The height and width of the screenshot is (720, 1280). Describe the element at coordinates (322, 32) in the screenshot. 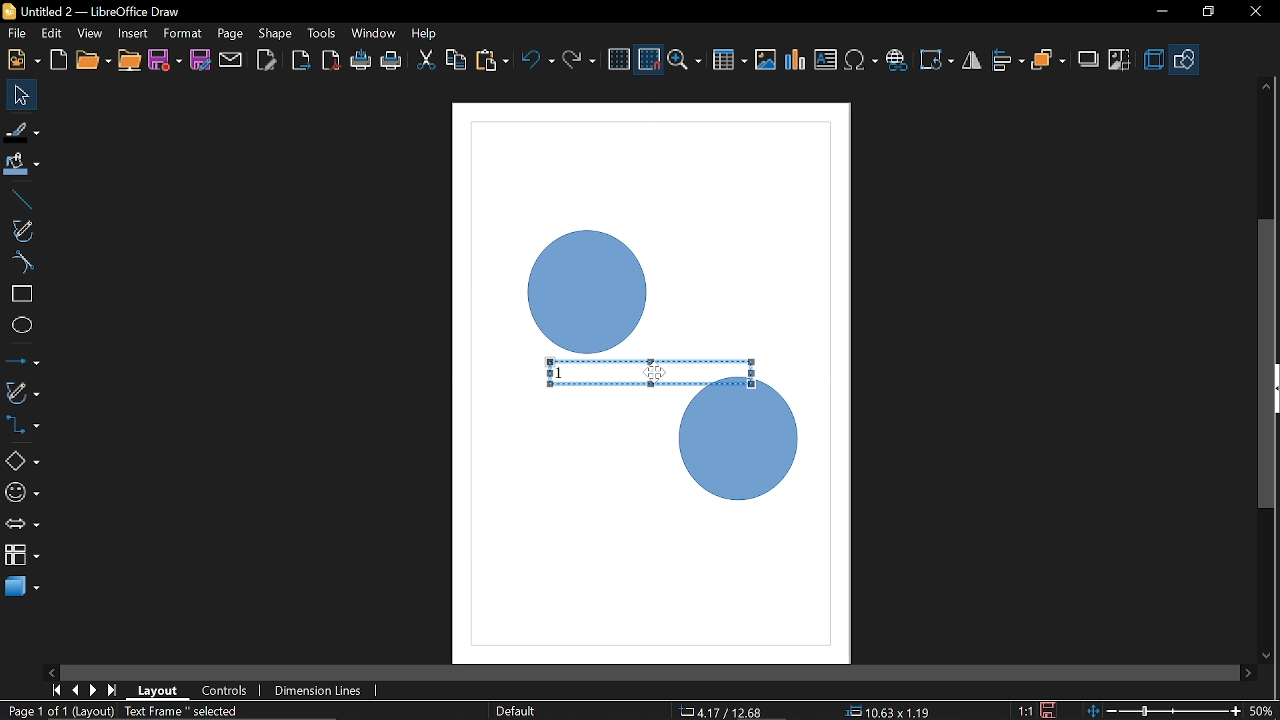

I see `Tools` at that location.